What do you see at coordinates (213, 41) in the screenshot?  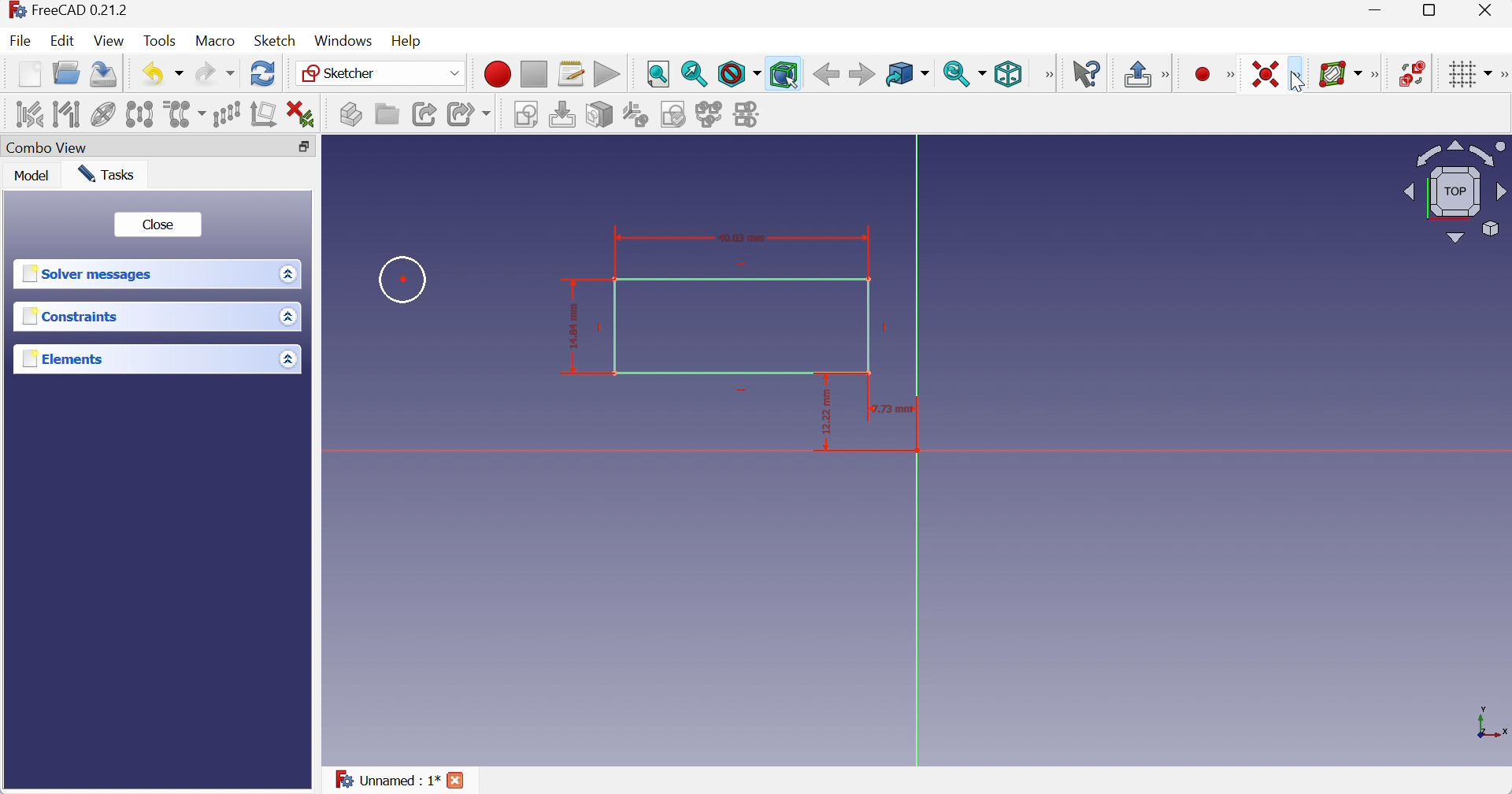 I see `Macro` at bounding box center [213, 41].